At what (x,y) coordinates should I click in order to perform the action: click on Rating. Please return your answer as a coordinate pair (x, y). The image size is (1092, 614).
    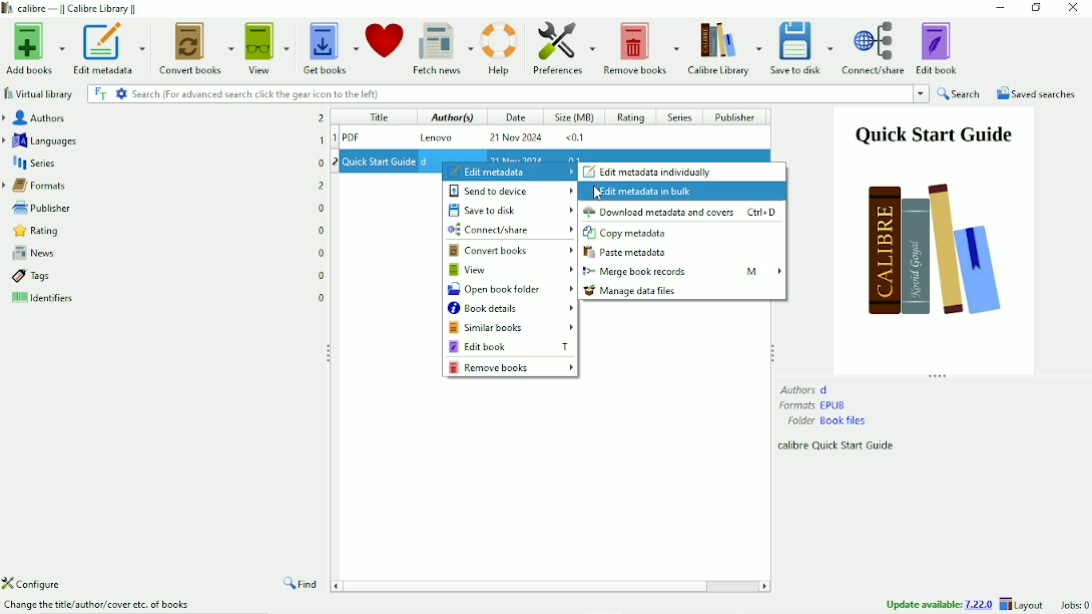
    Looking at the image, I should click on (164, 230).